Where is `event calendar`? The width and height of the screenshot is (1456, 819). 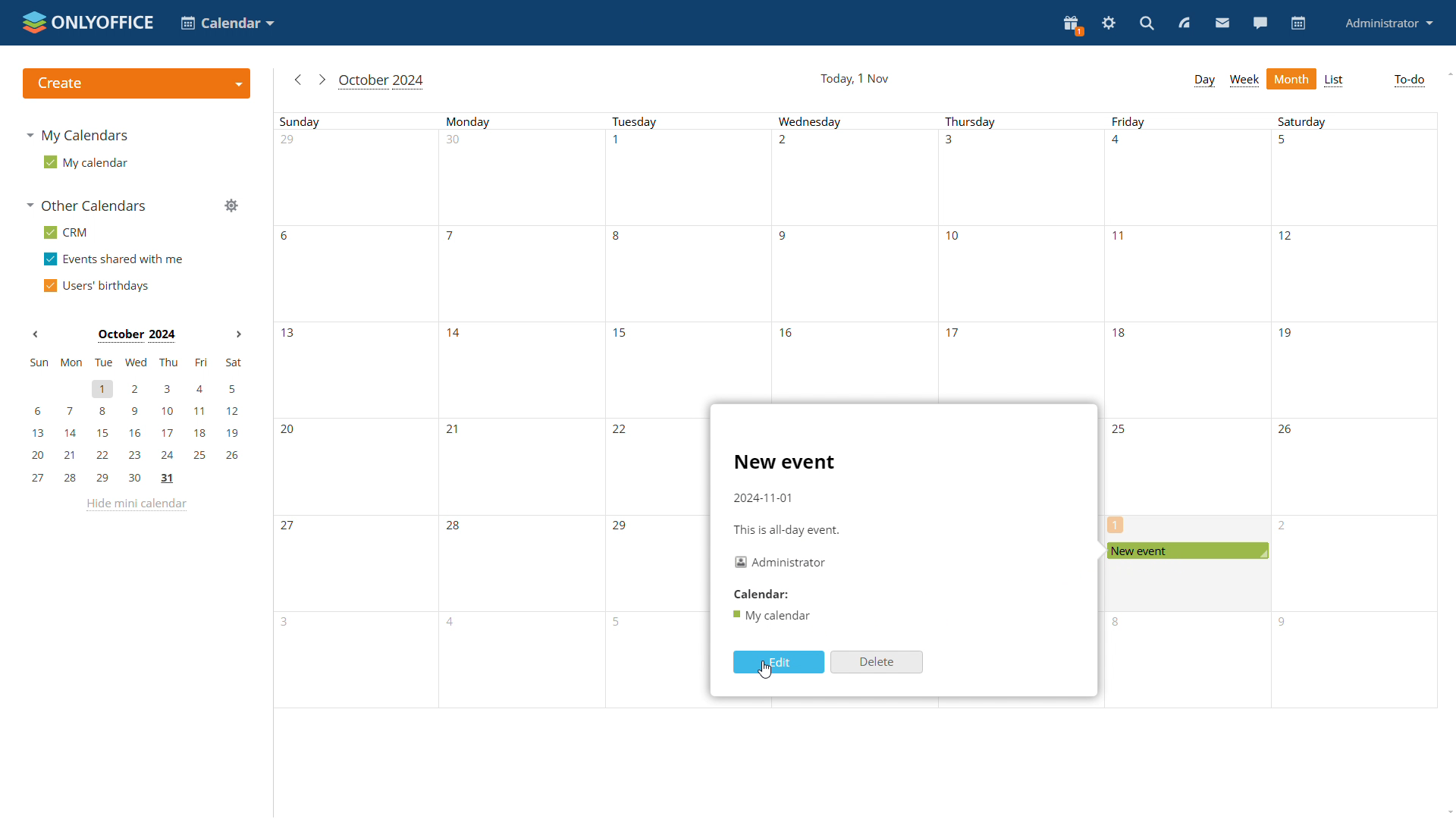
event calendar is located at coordinates (774, 616).